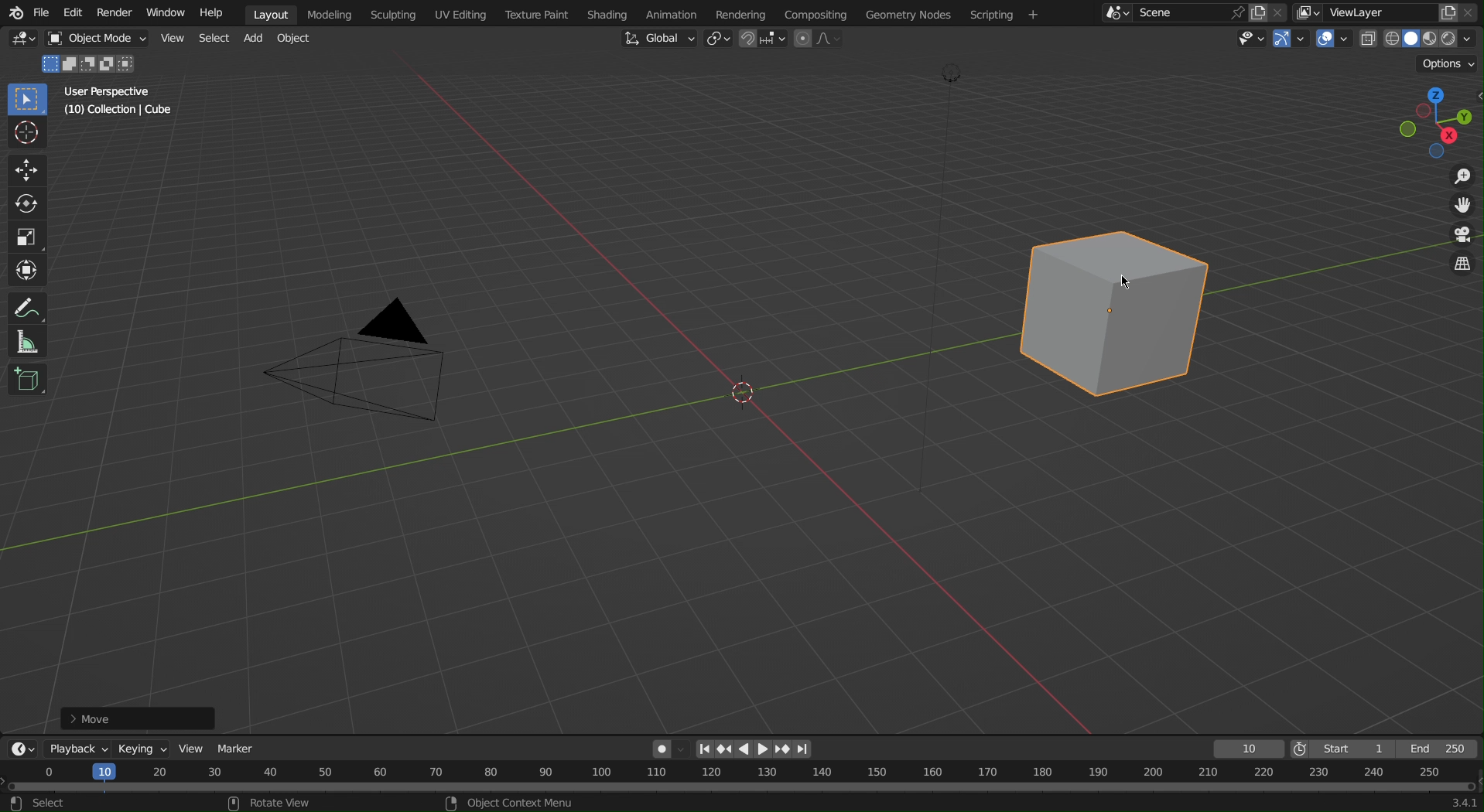 This screenshot has width=1484, height=812. Describe the element at coordinates (27, 268) in the screenshot. I see `Transform` at that location.